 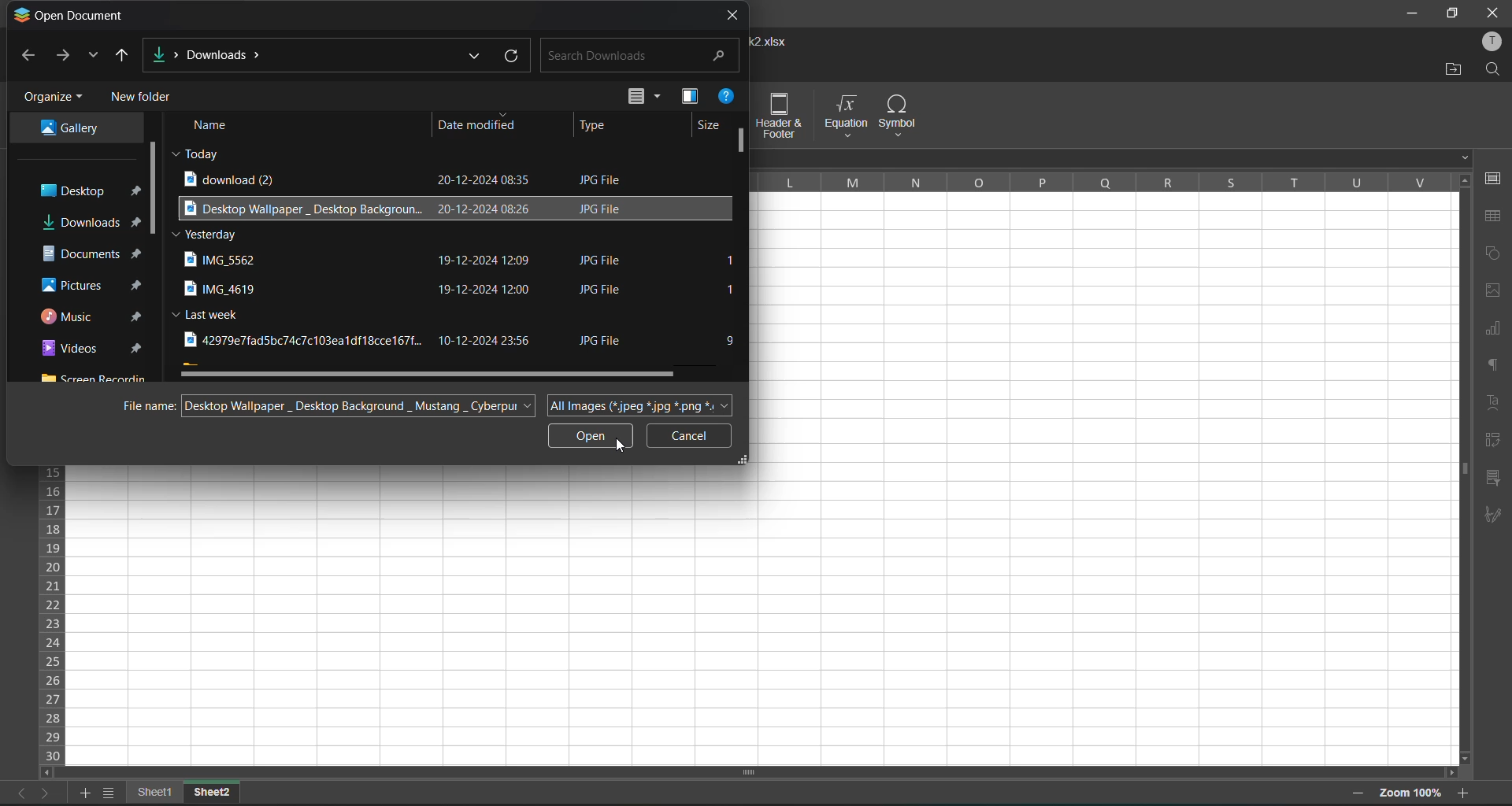 What do you see at coordinates (724, 98) in the screenshot?
I see `help` at bounding box center [724, 98].